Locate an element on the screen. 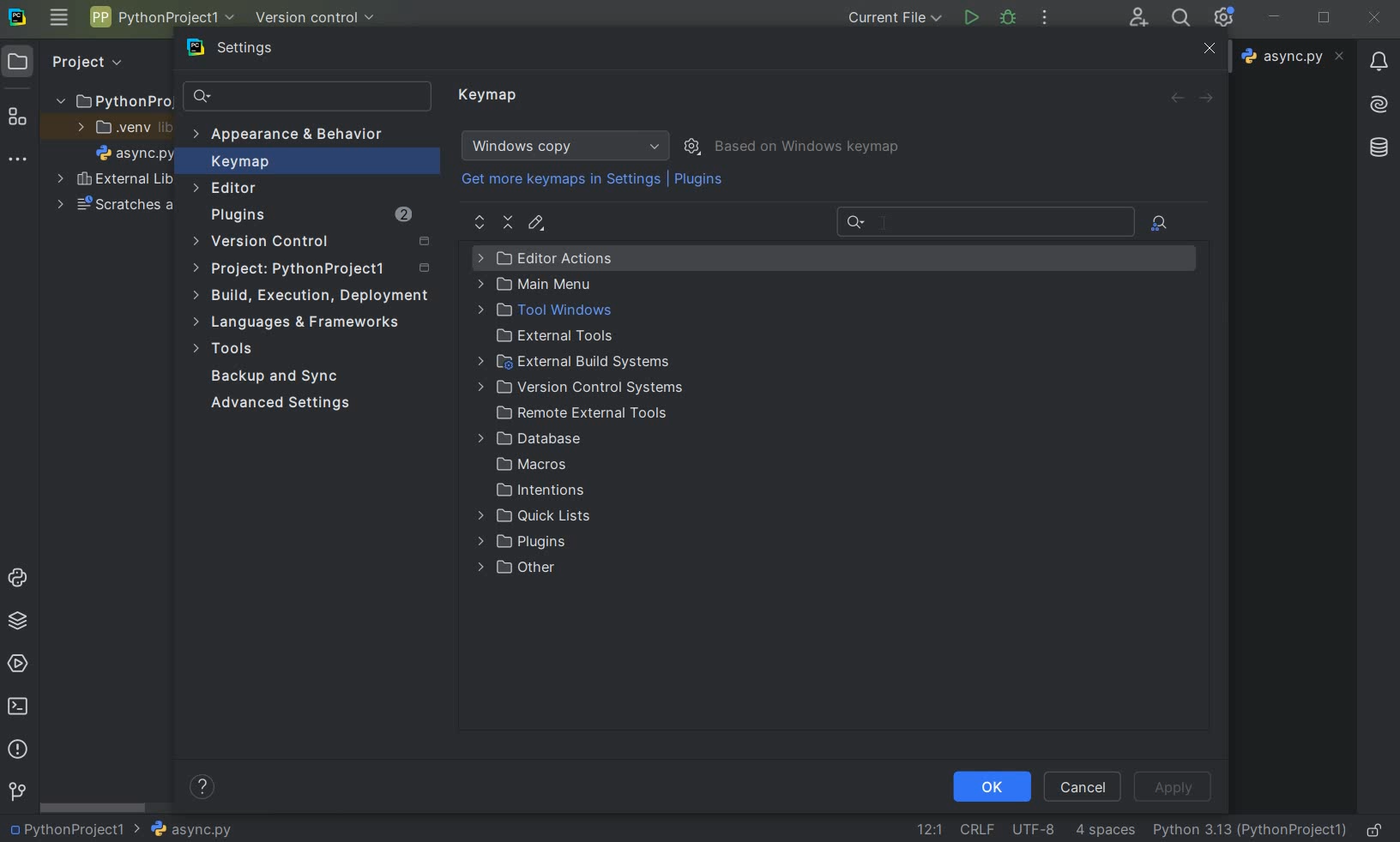 The image size is (1400, 842). backup and sync is located at coordinates (275, 378).